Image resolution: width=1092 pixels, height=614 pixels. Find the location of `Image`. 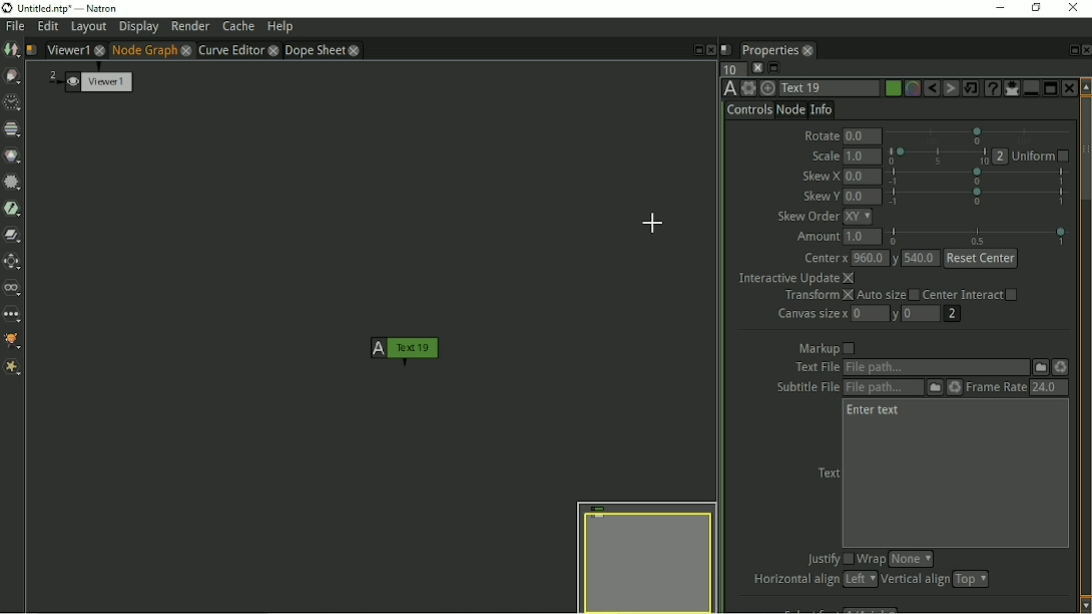

Image is located at coordinates (11, 50).